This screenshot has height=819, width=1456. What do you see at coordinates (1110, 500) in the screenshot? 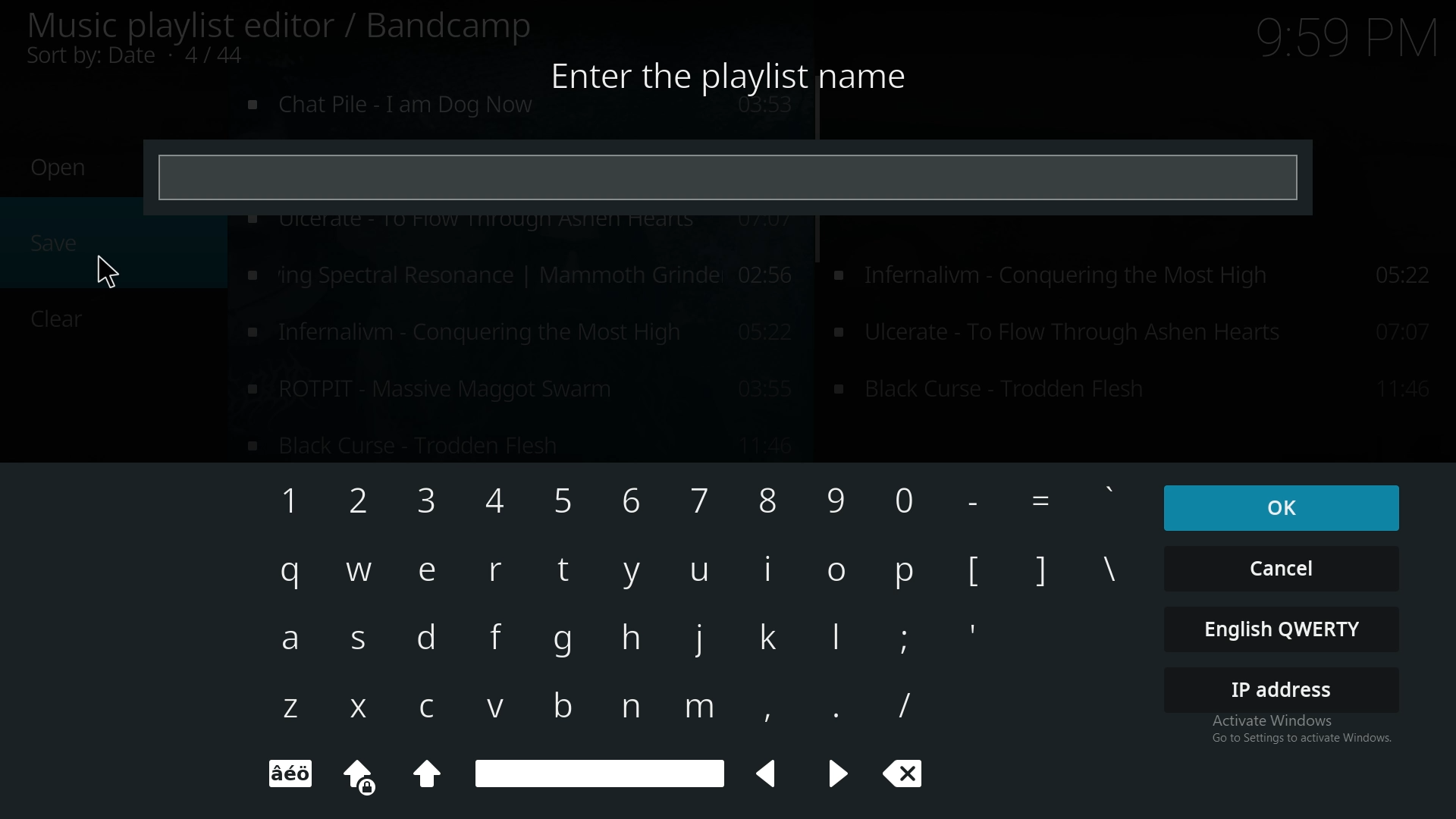
I see `keyboard input` at bounding box center [1110, 500].